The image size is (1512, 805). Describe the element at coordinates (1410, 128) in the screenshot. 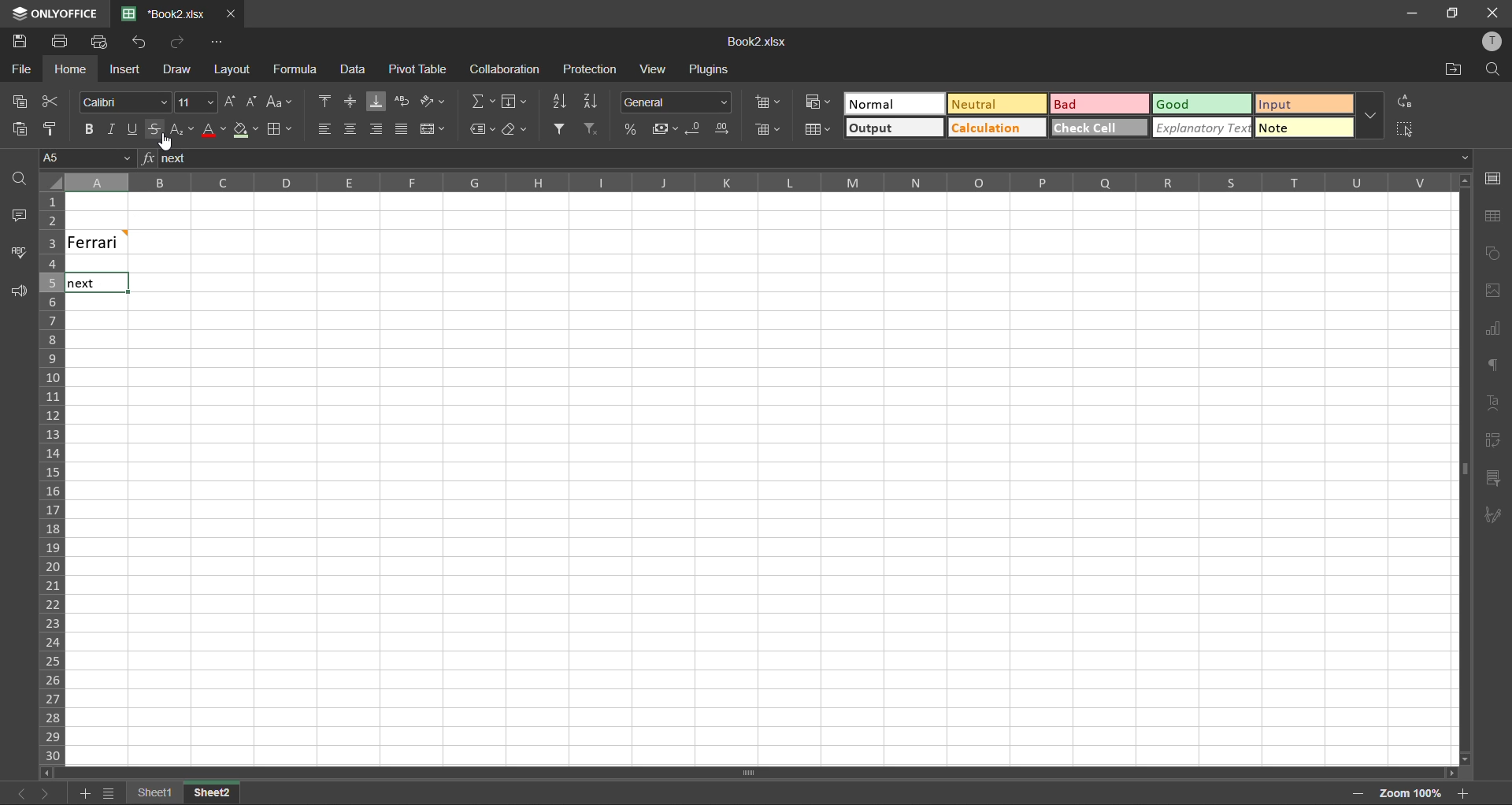

I see `select all` at that location.